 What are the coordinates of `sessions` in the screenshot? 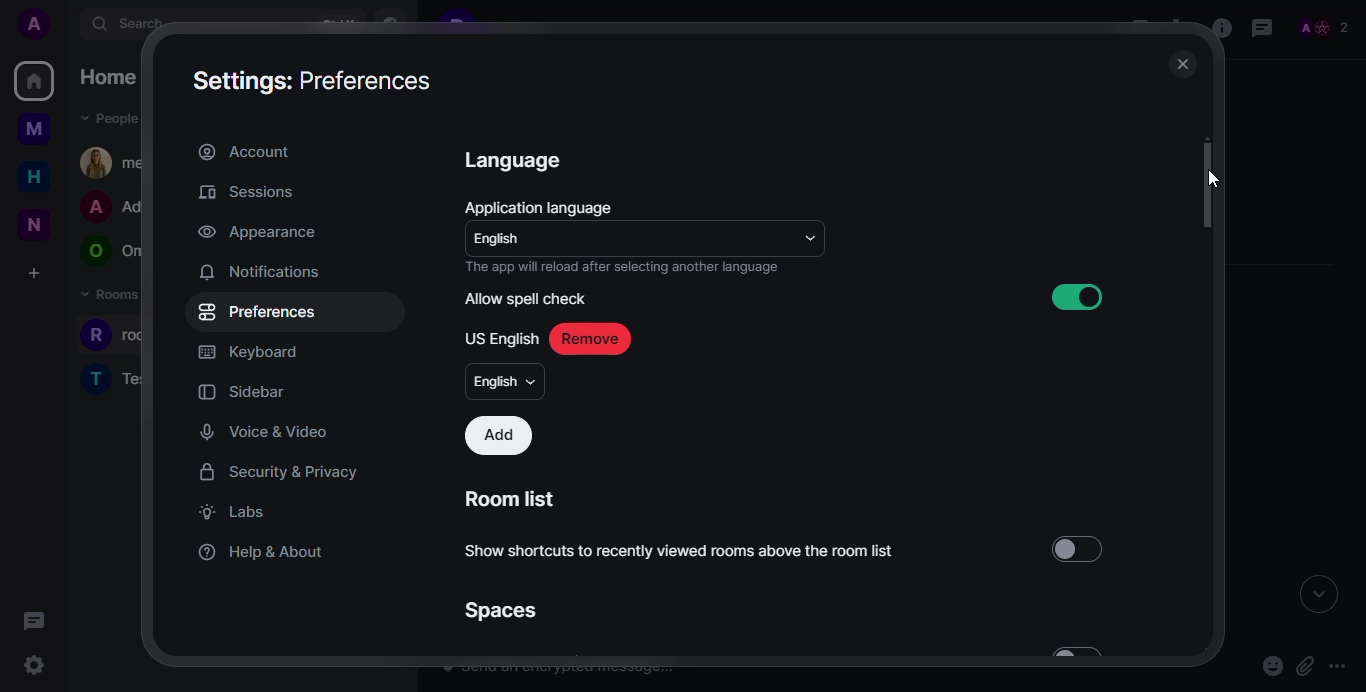 It's located at (246, 192).